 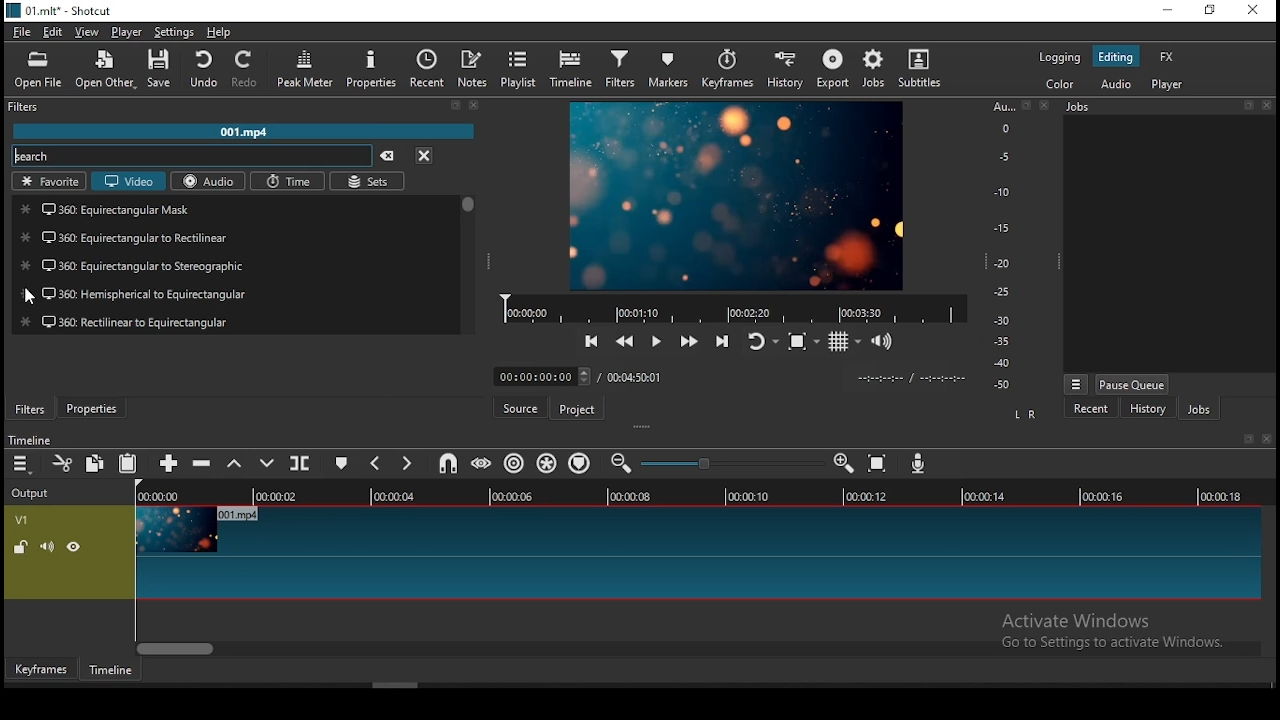 I want to click on sets, so click(x=369, y=181).